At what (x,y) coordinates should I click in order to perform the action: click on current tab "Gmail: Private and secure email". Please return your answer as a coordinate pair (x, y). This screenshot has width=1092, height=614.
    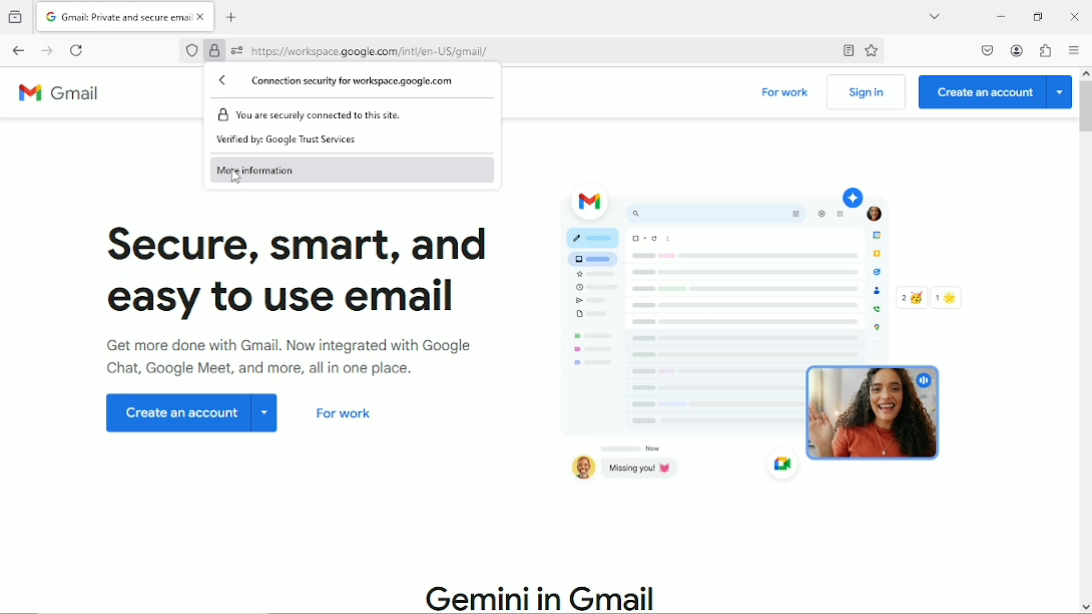
    Looking at the image, I should click on (116, 16).